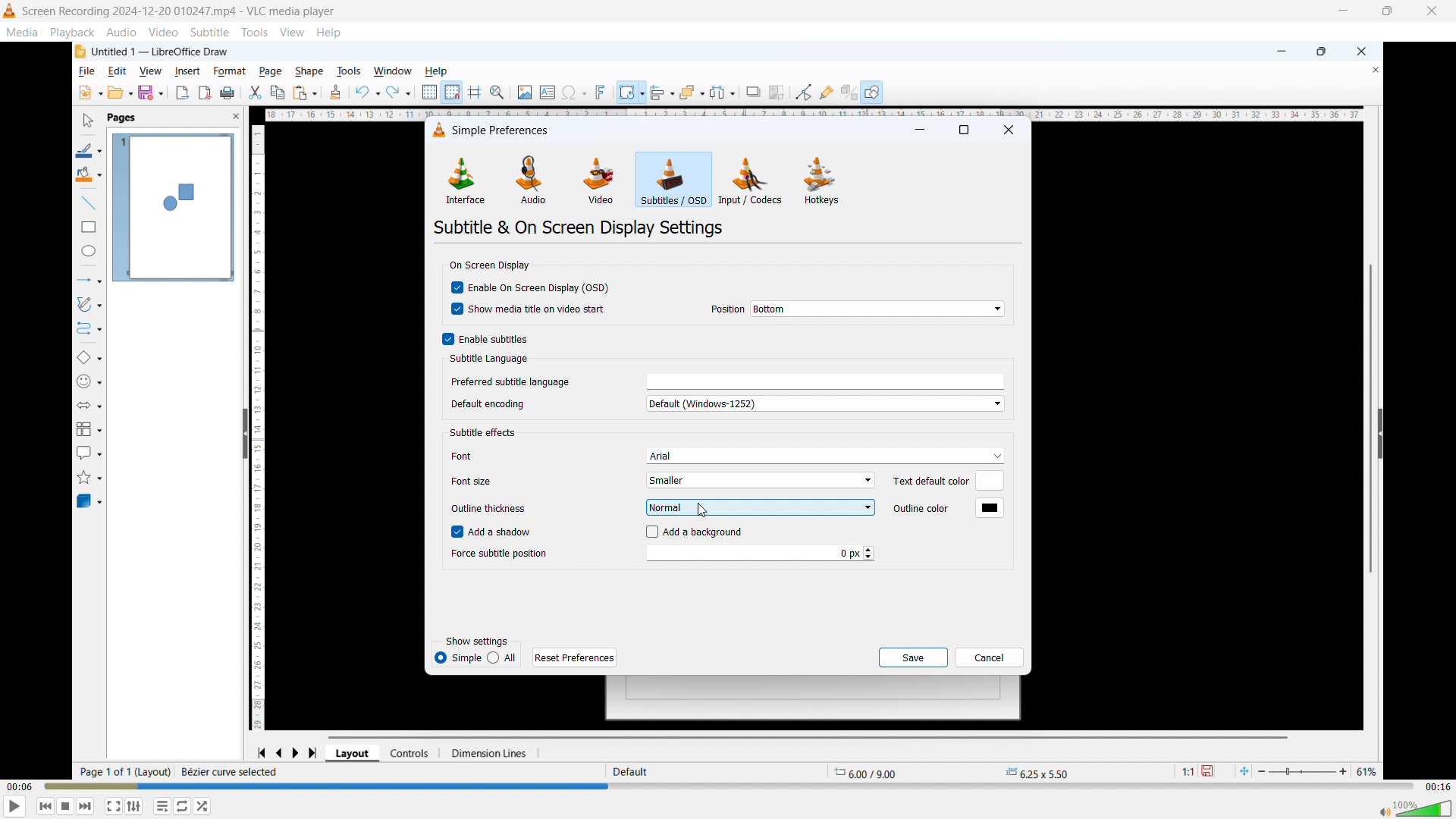 The height and width of the screenshot is (819, 1456). I want to click on Logo , so click(10, 11).